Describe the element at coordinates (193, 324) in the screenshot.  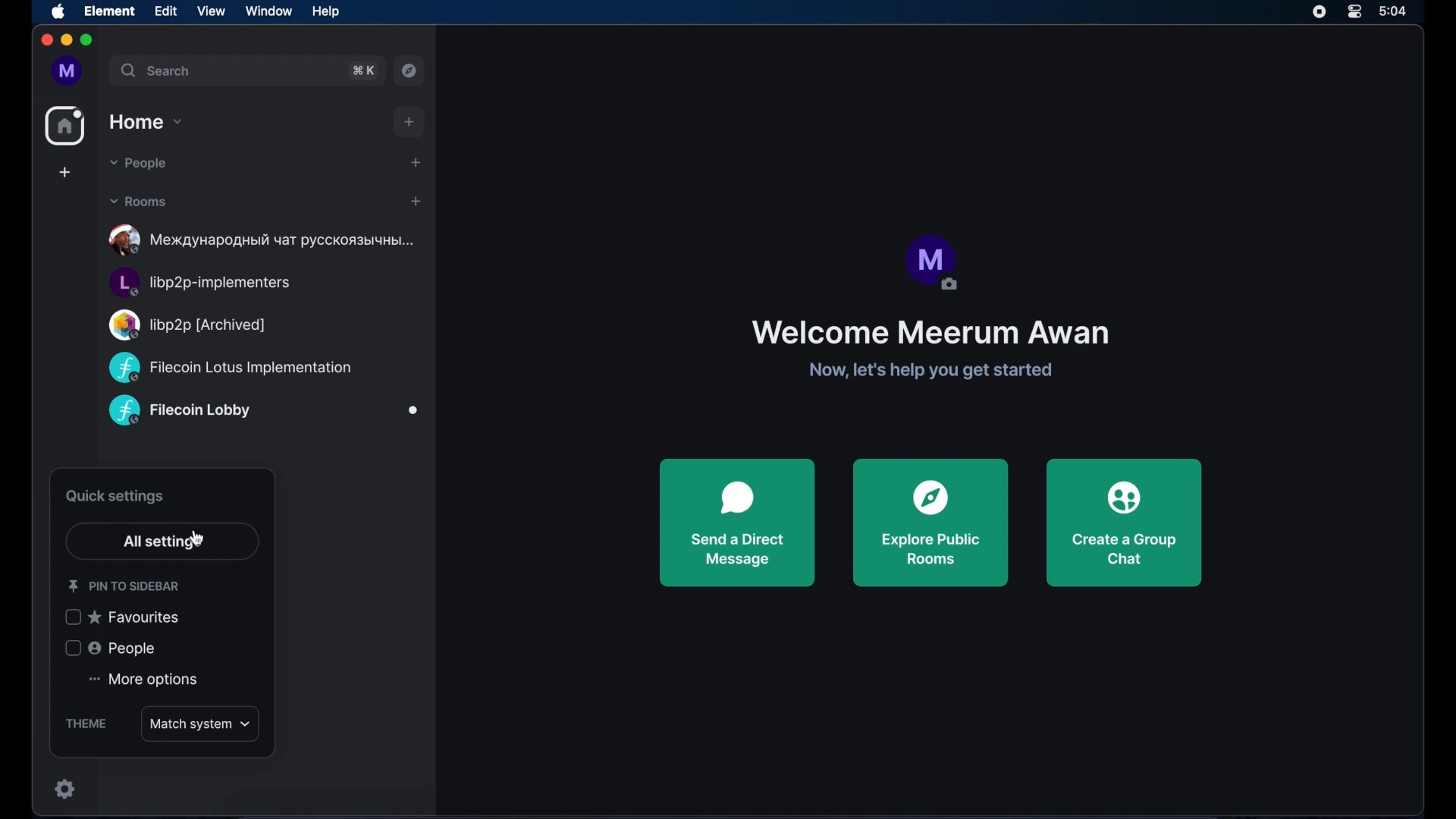
I see `ee libp2p [Archived]` at that location.